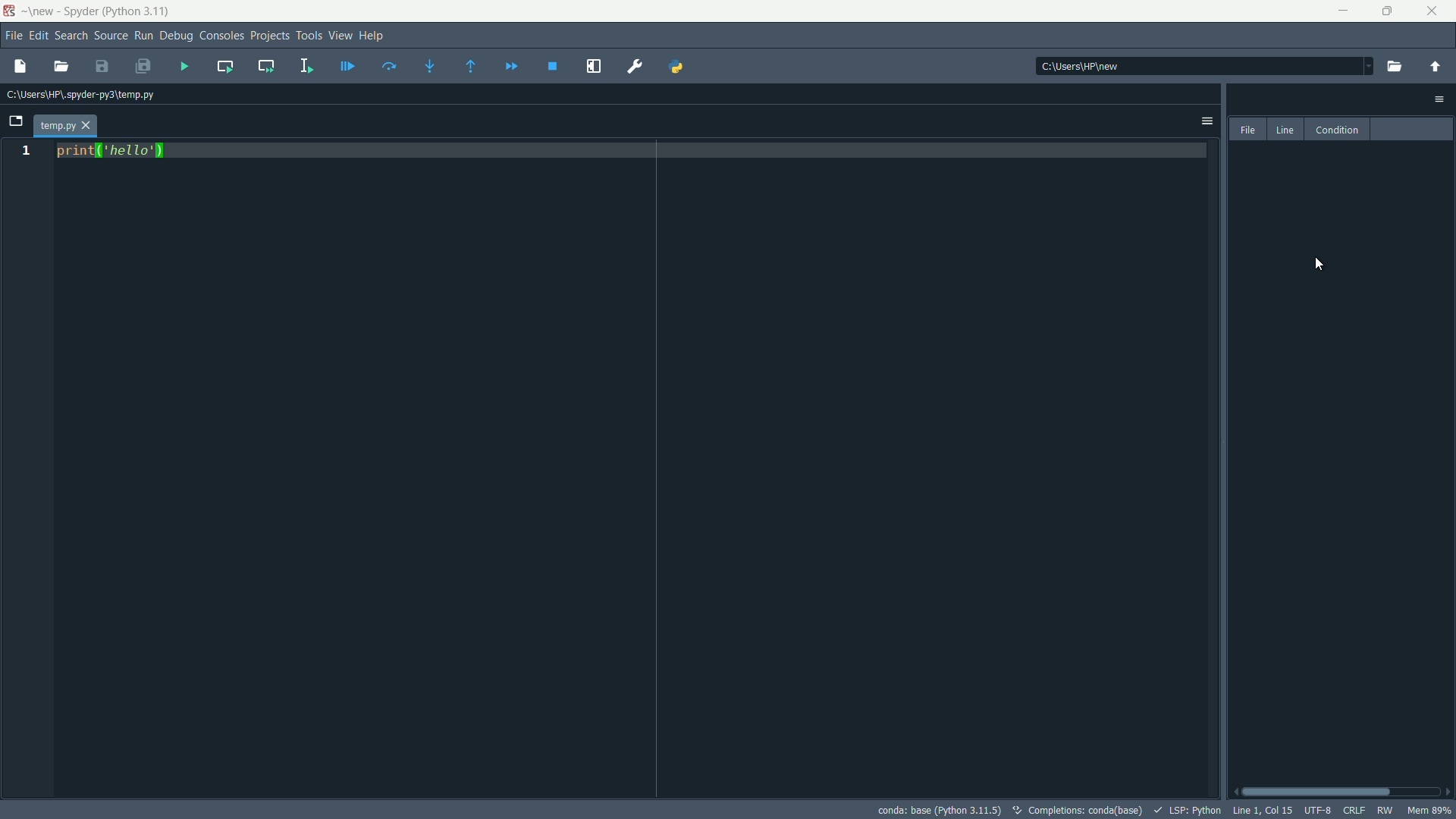 This screenshot has width=1456, height=819. I want to click on python 3.11, so click(139, 11).